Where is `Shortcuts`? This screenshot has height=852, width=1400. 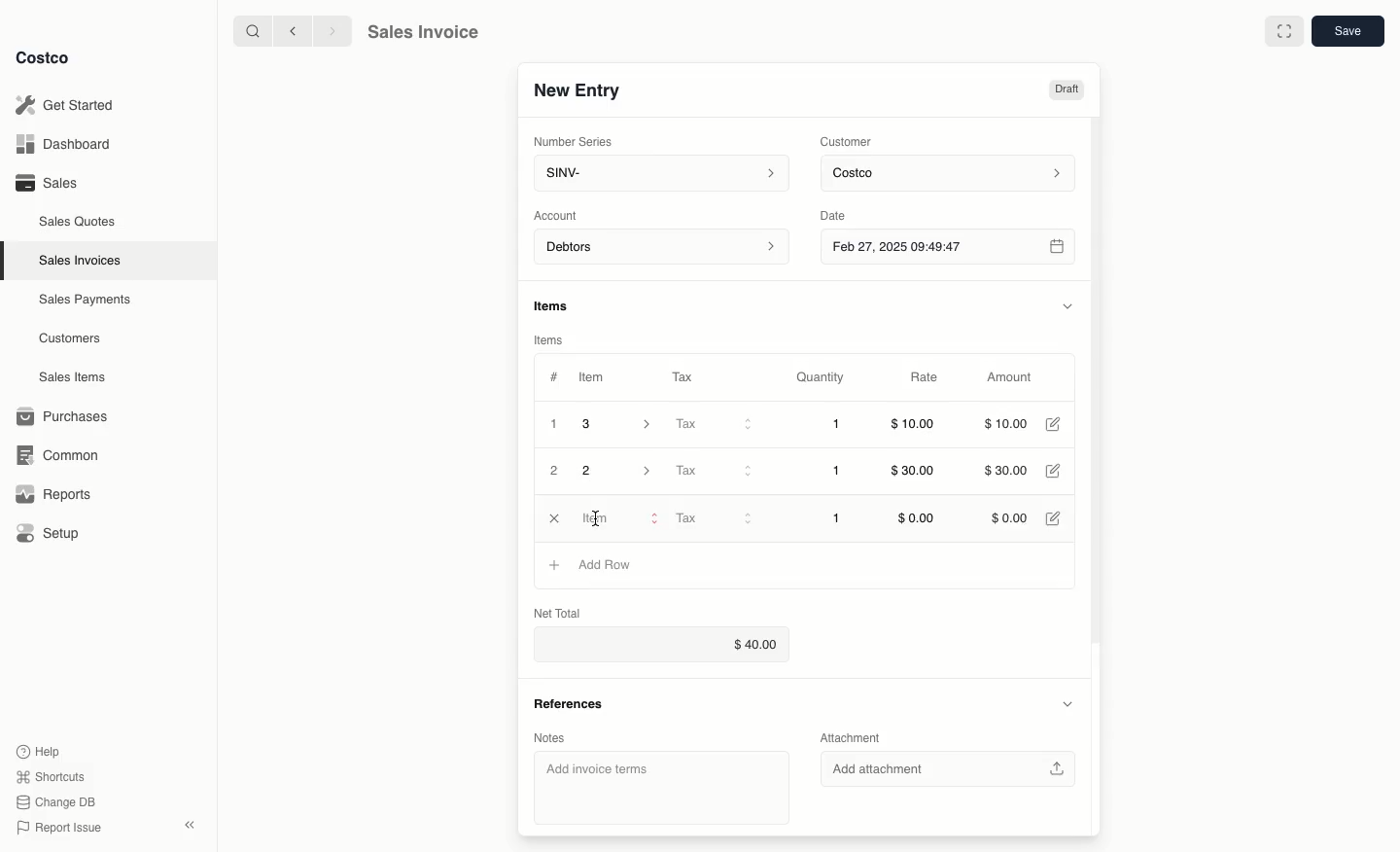 Shortcuts is located at coordinates (50, 775).